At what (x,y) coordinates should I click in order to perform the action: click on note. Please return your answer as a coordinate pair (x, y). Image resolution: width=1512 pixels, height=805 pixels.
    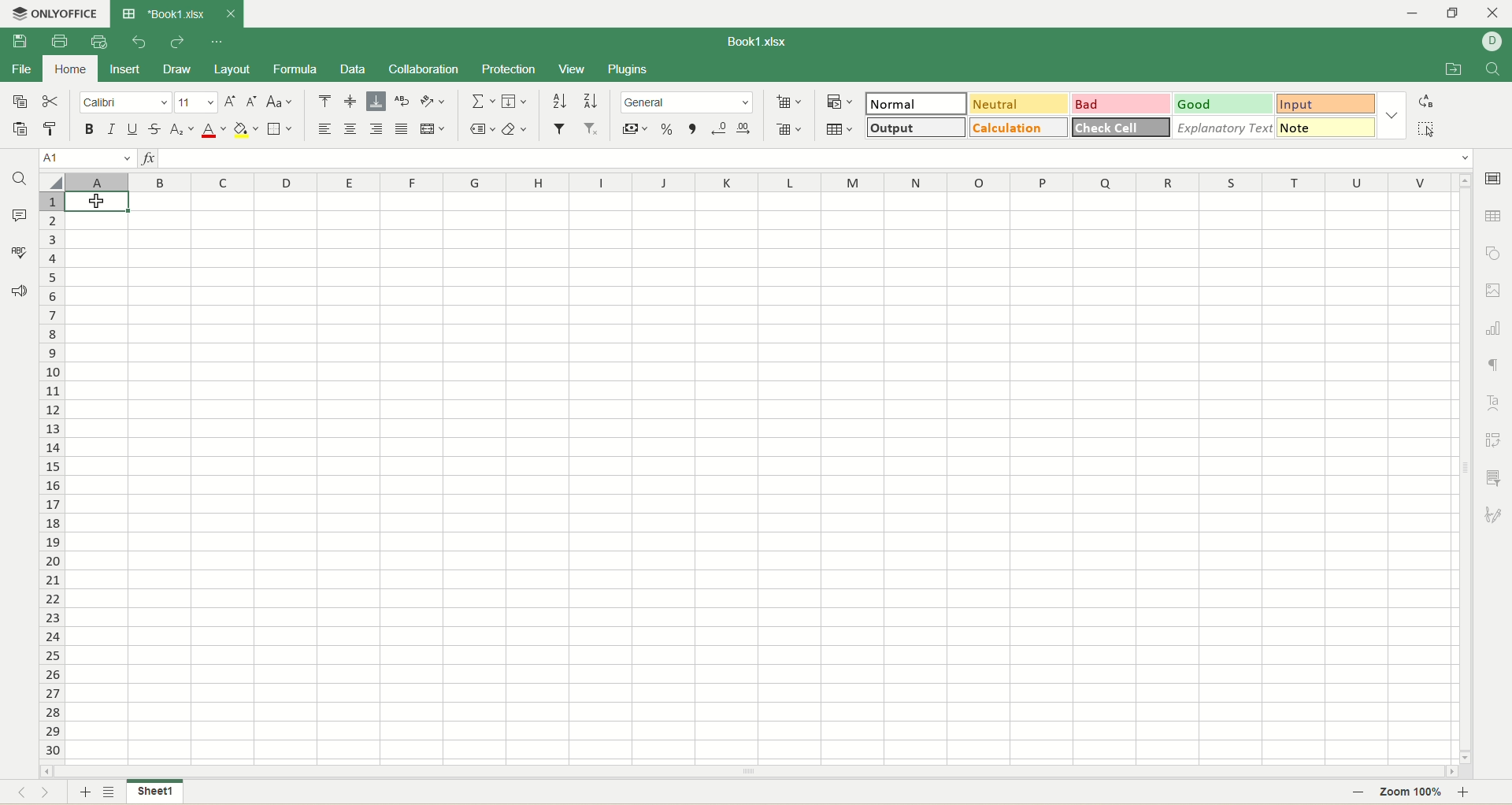
    Looking at the image, I should click on (1324, 128).